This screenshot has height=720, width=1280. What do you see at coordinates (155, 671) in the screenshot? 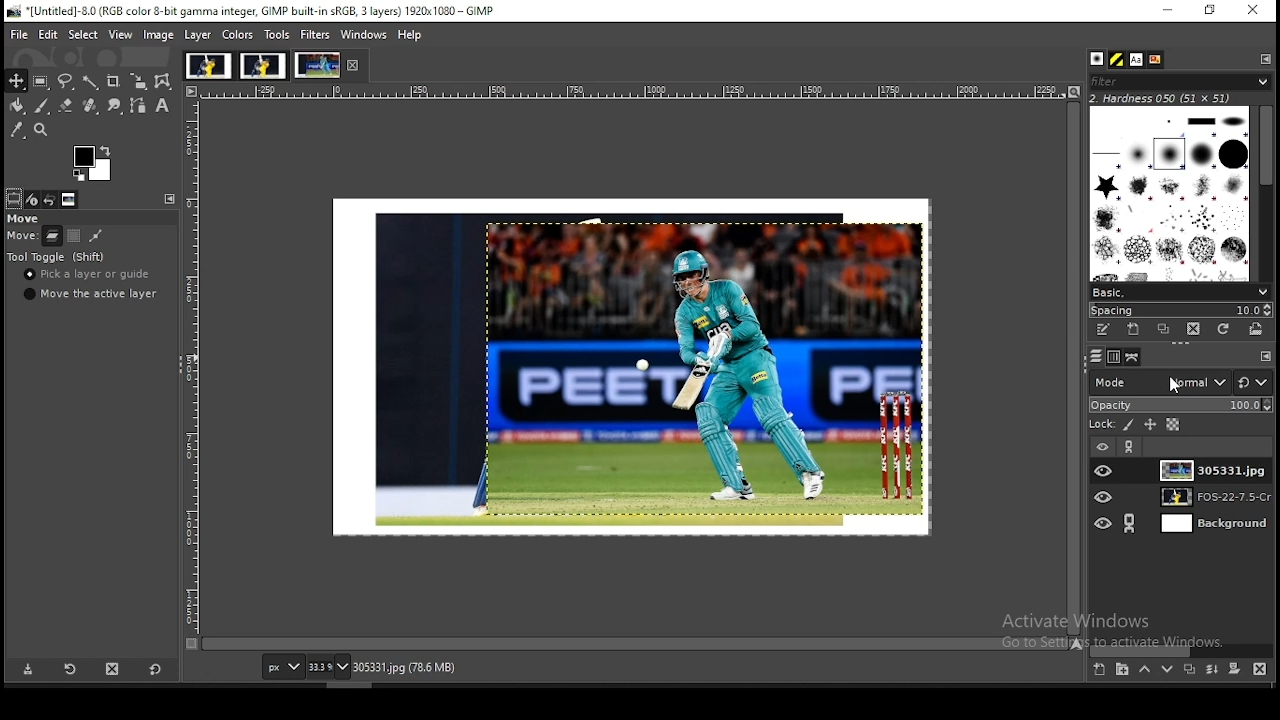
I see `reset to defaults` at bounding box center [155, 671].